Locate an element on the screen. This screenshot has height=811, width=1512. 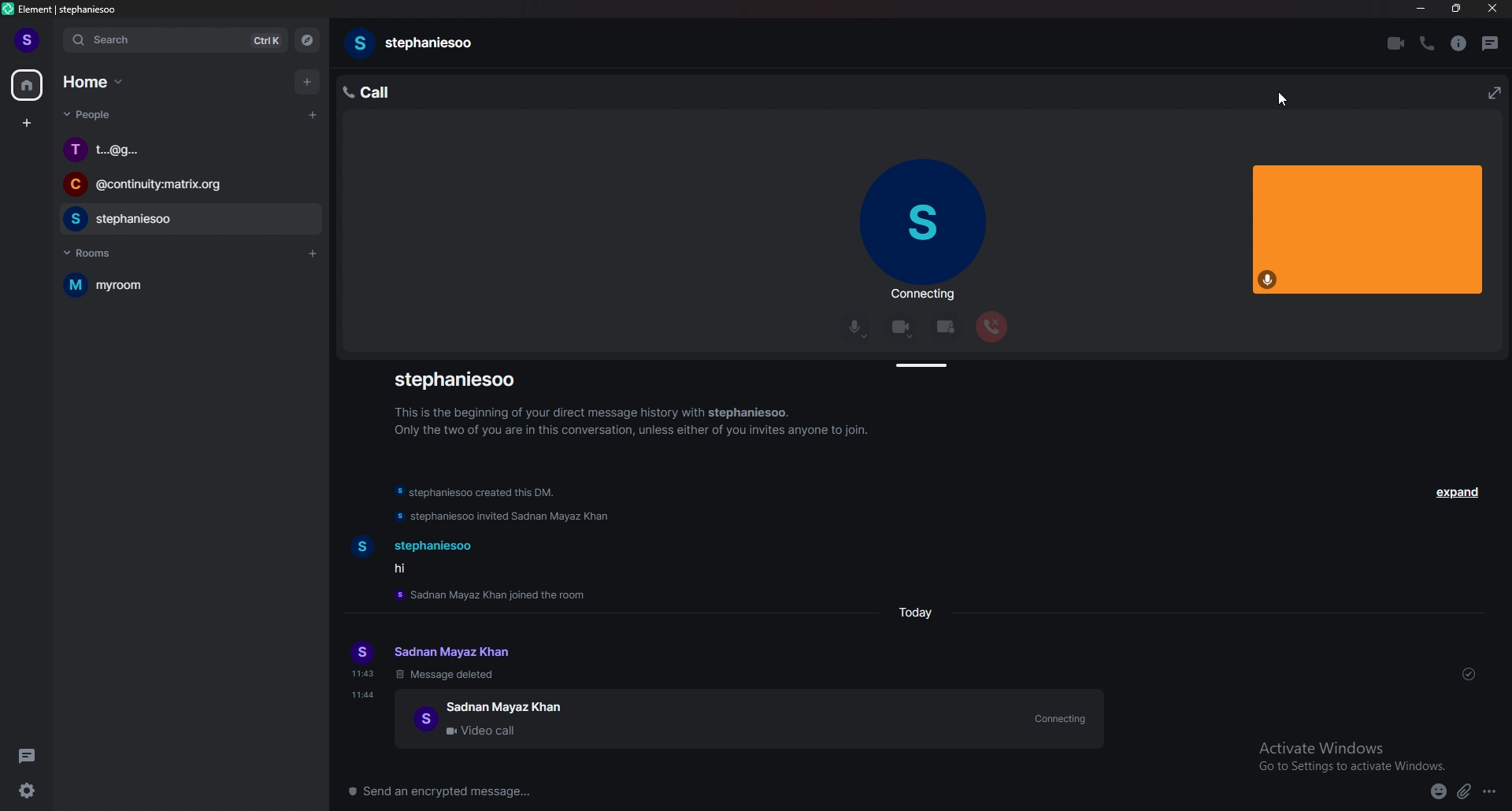
time is located at coordinates (921, 611).